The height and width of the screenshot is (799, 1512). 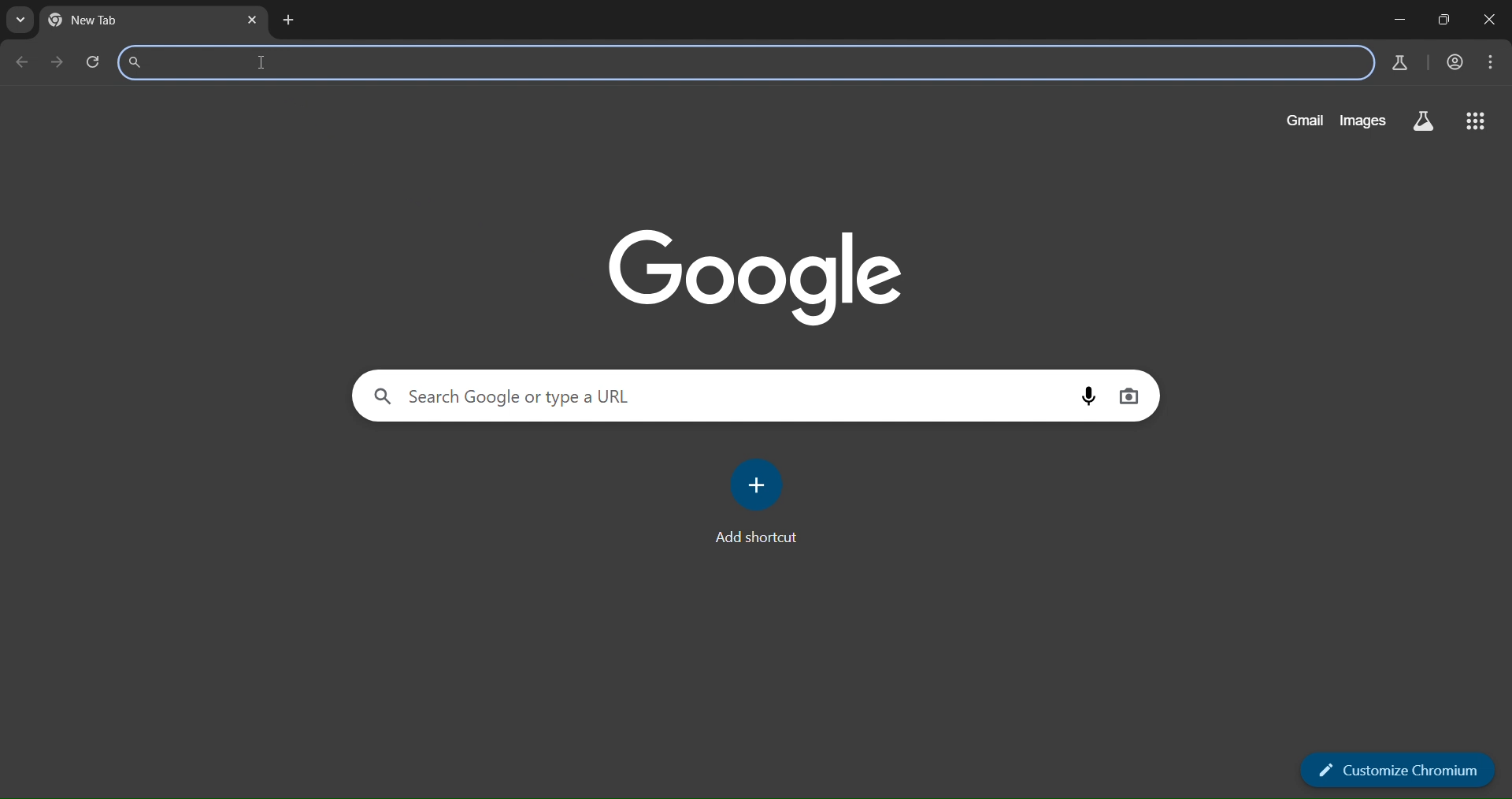 What do you see at coordinates (93, 60) in the screenshot?
I see `reload page` at bounding box center [93, 60].